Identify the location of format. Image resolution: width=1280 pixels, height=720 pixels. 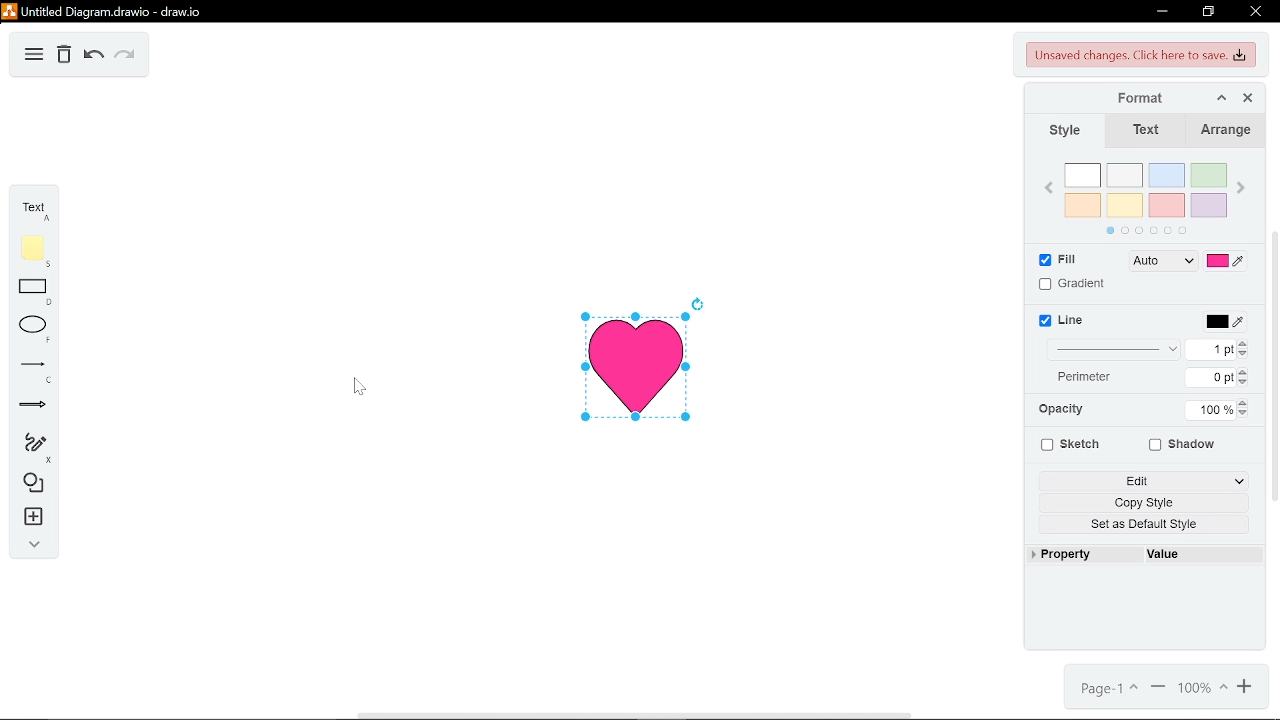
(1130, 98).